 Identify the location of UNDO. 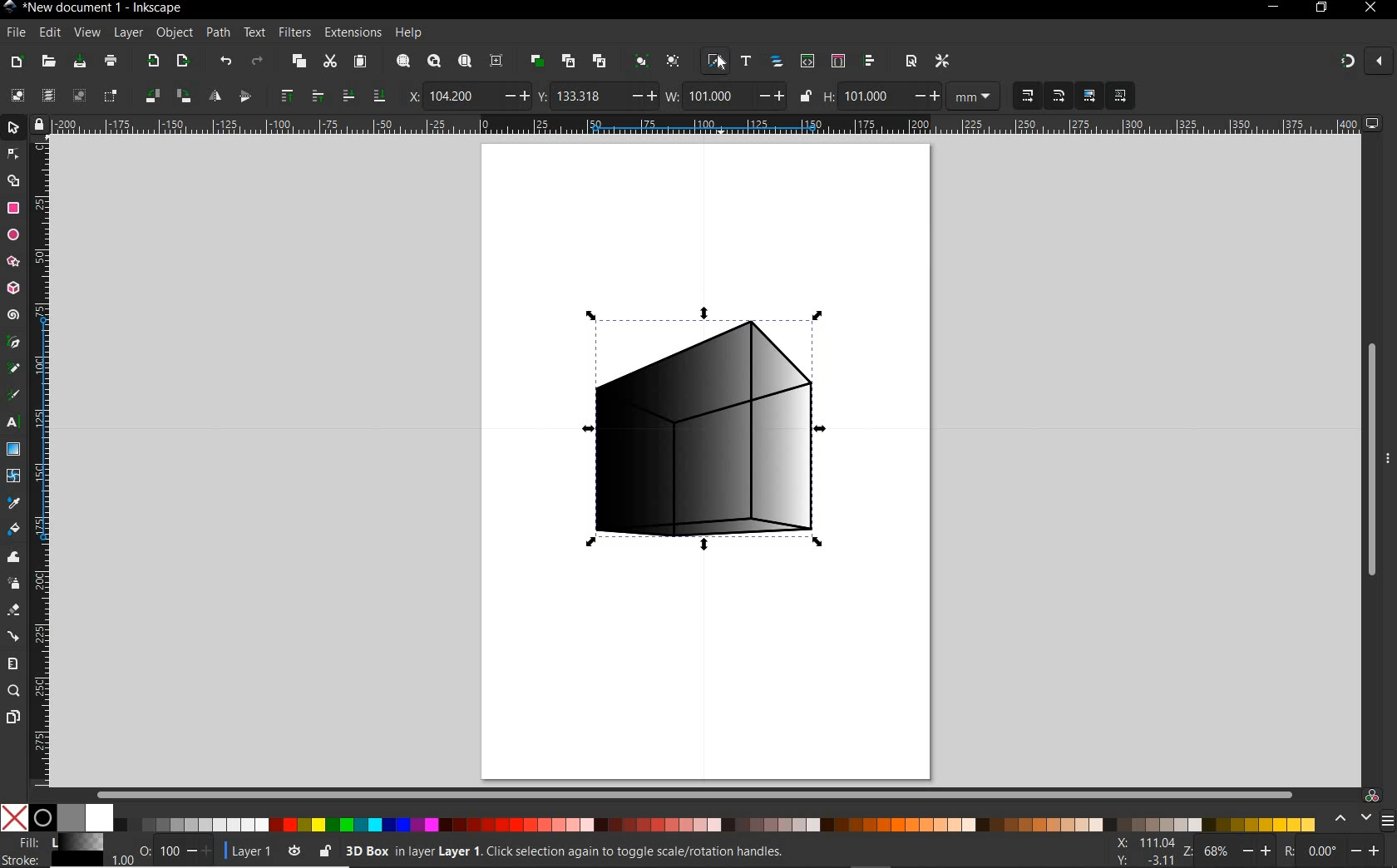
(224, 61).